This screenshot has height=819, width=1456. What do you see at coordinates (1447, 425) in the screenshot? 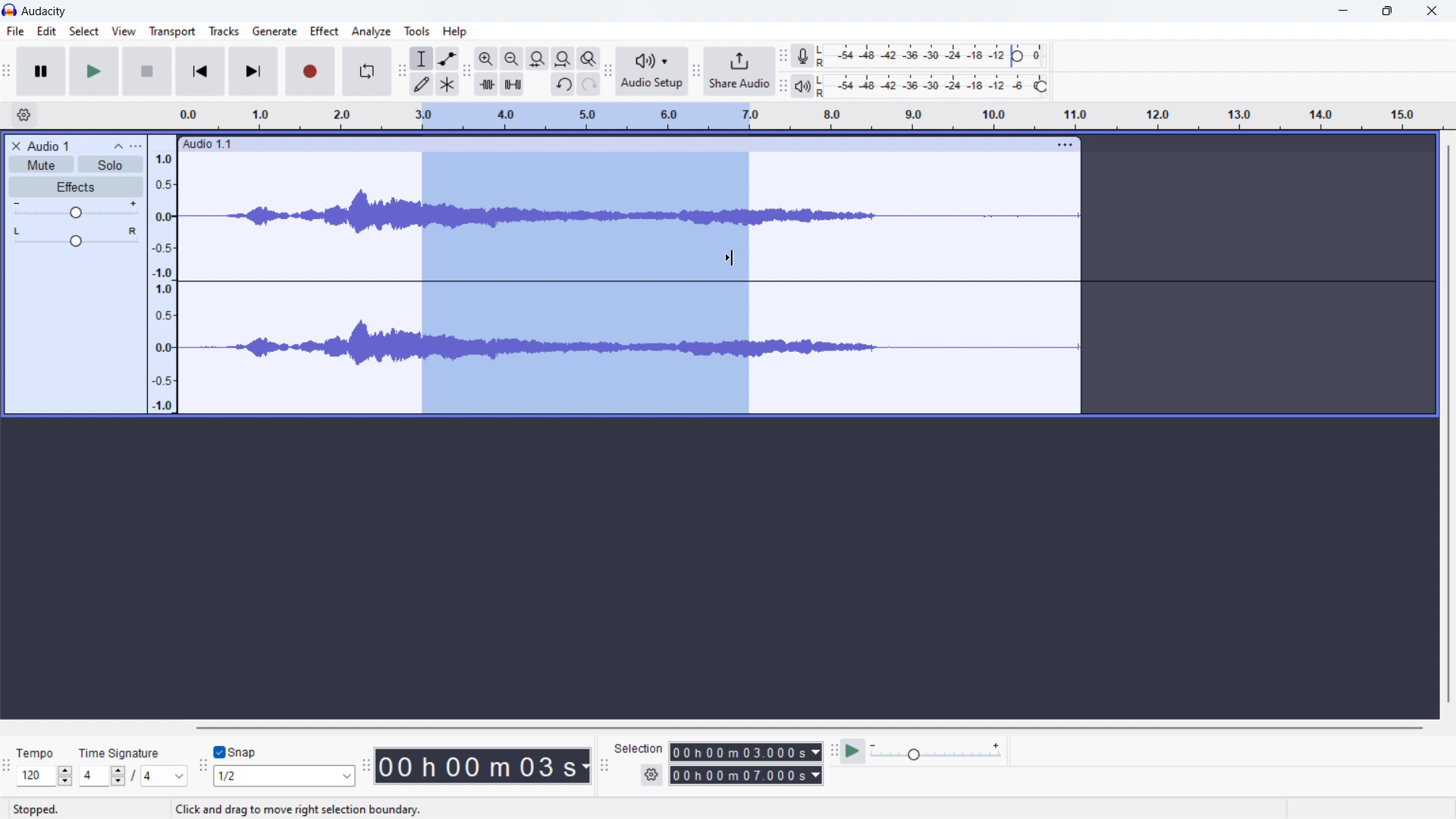
I see `vertical scrollbar` at bounding box center [1447, 425].